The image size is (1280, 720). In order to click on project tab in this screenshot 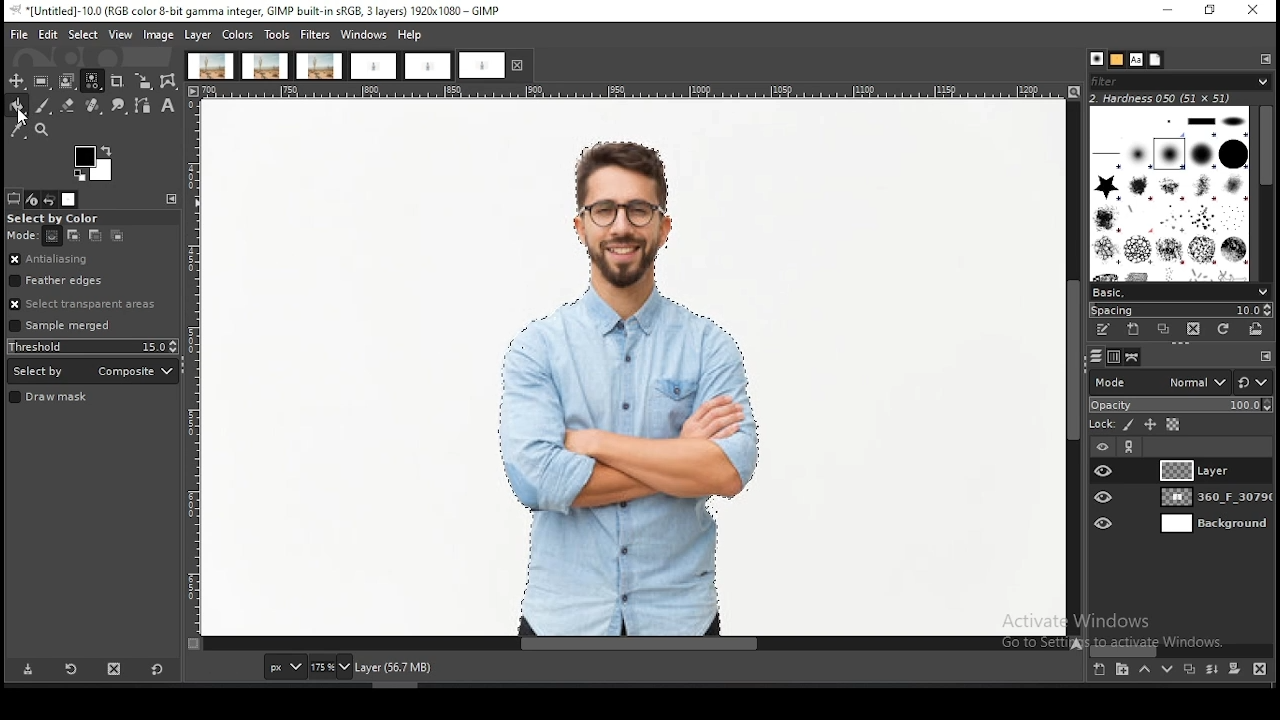, I will do `click(373, 67)`.